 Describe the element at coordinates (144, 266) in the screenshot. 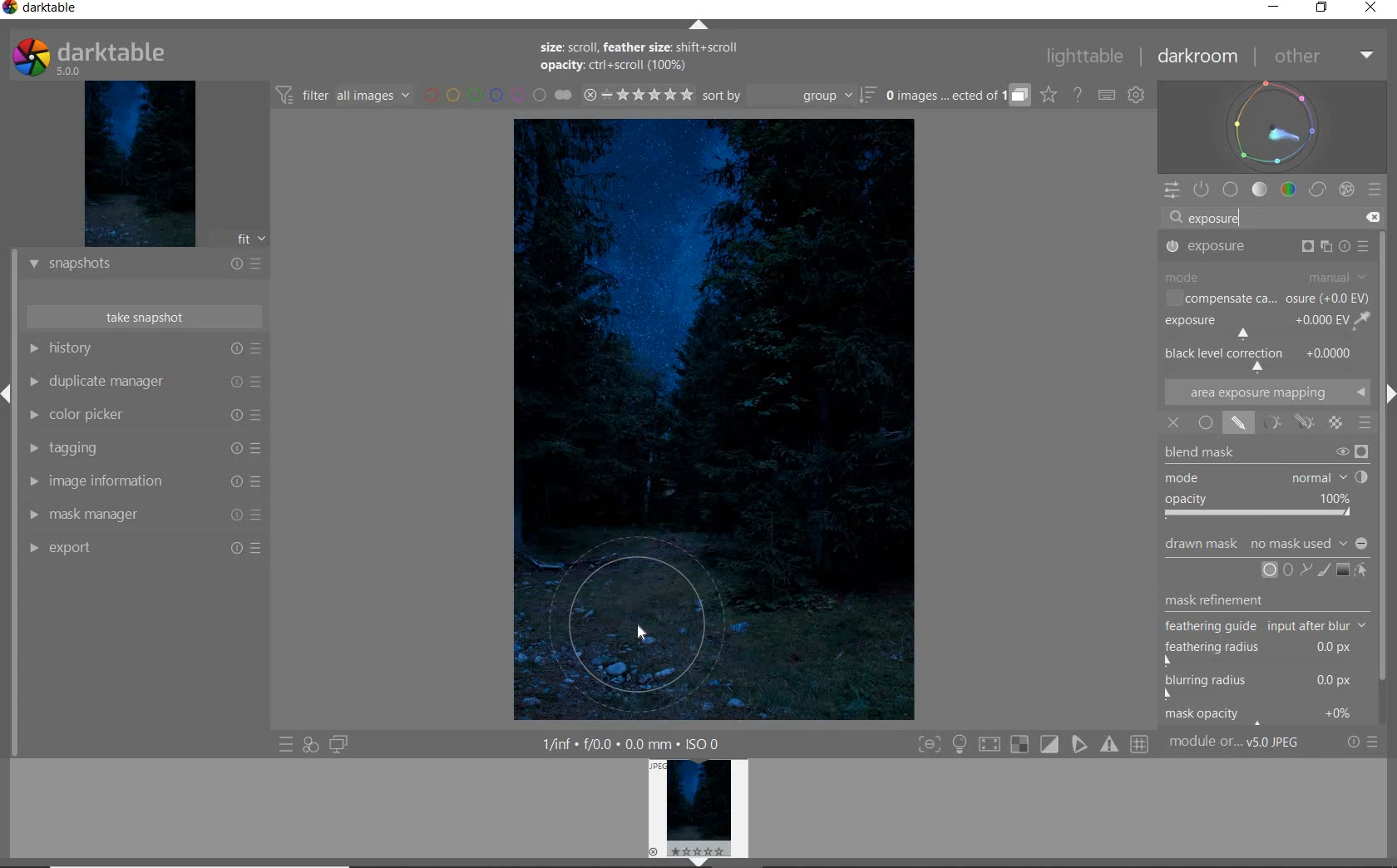

I see `SNAPSHOTS` at that location.